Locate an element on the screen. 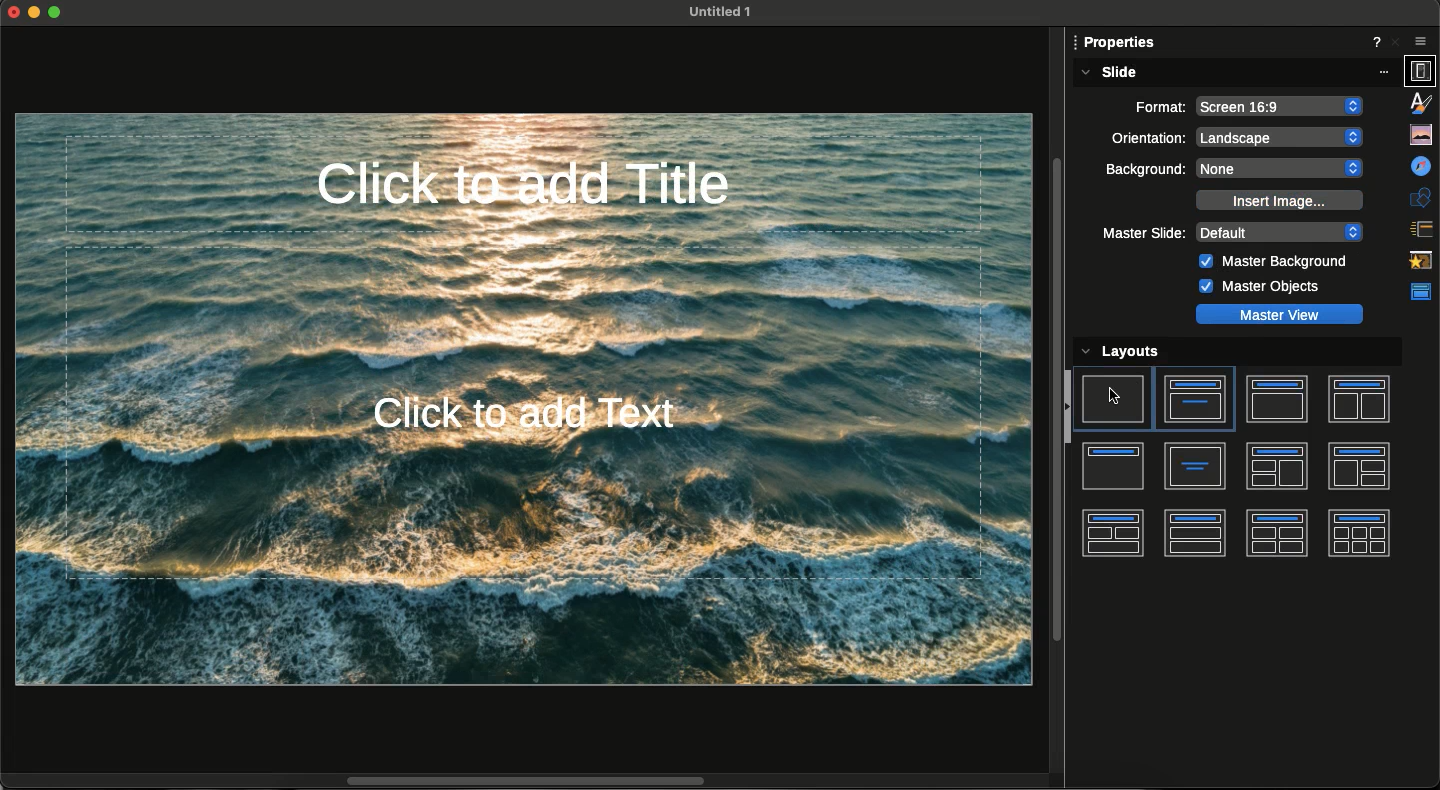  Master view is located at coordinates (1279, 314).